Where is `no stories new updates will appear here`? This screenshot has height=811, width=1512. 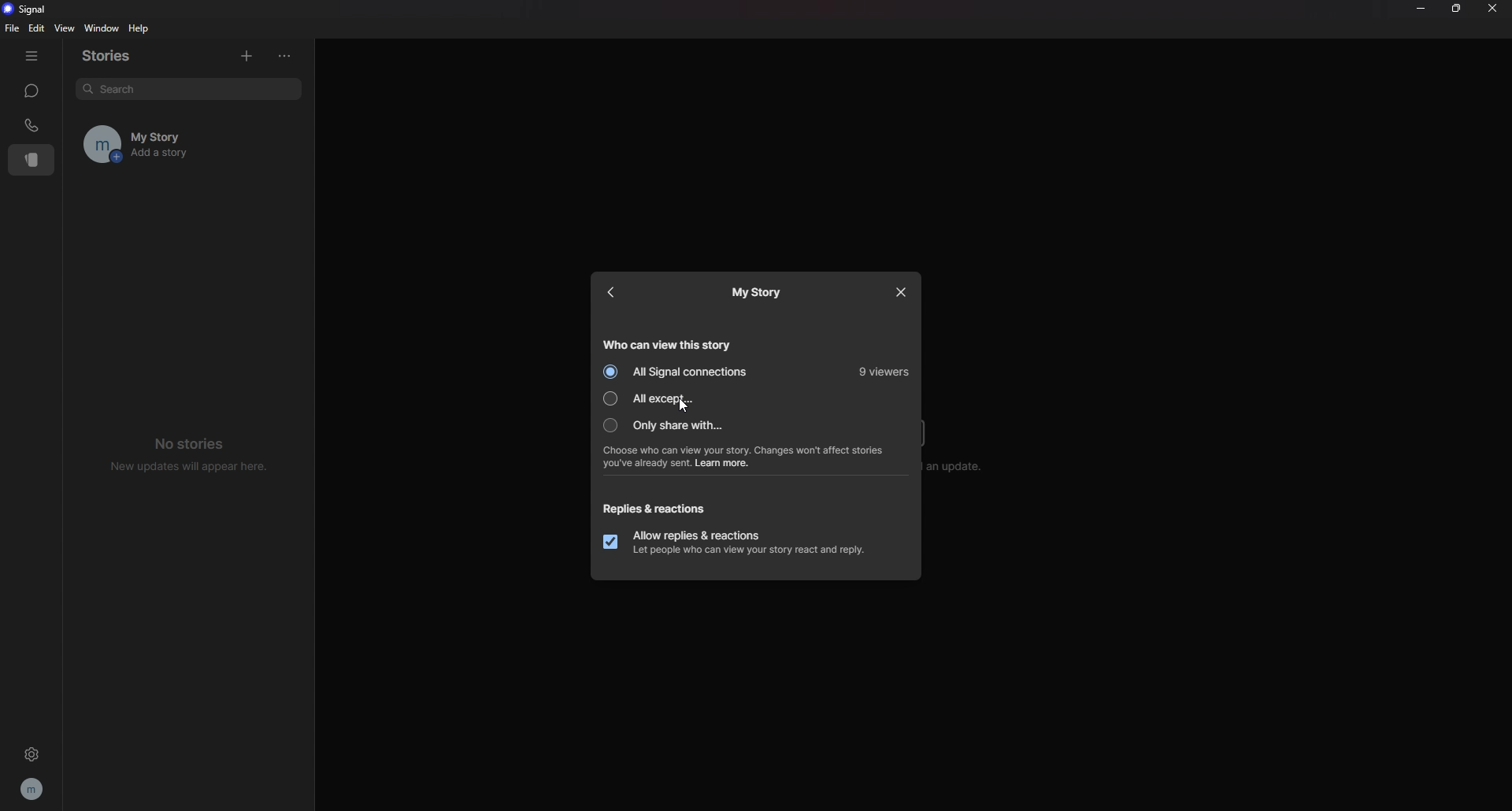
no stories new updates will appear here is located at coordinates (191, 453).